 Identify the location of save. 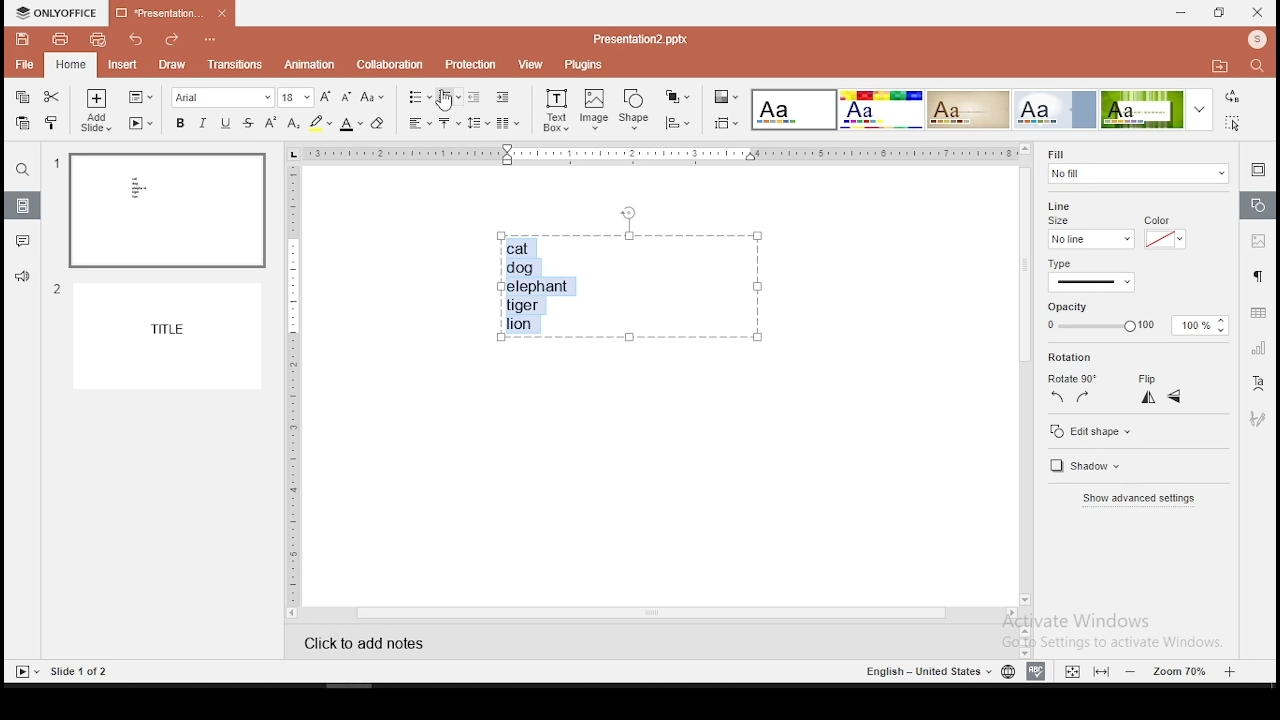
(23, 40).